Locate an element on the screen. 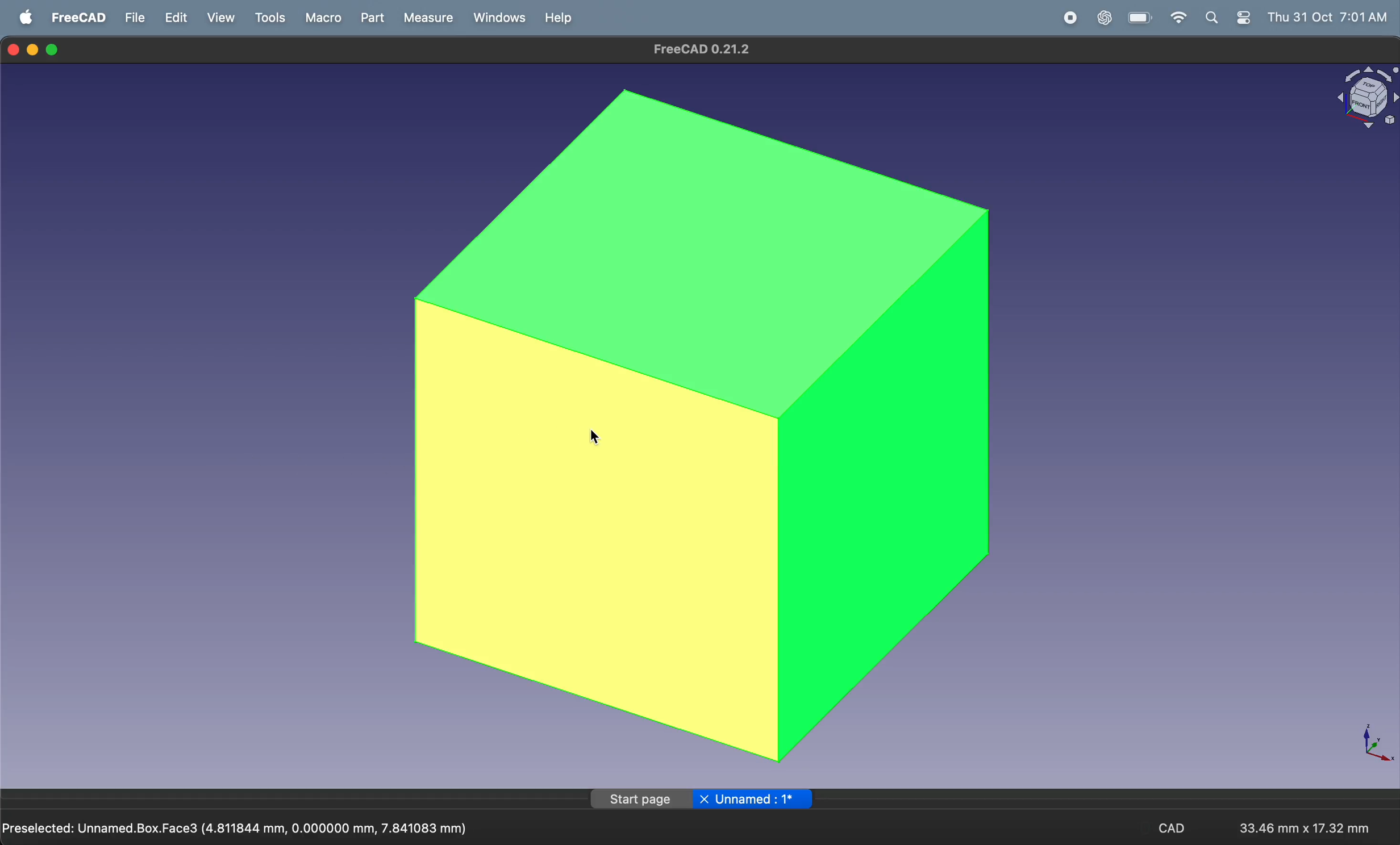  closing window is located at coordinates (14, 48).